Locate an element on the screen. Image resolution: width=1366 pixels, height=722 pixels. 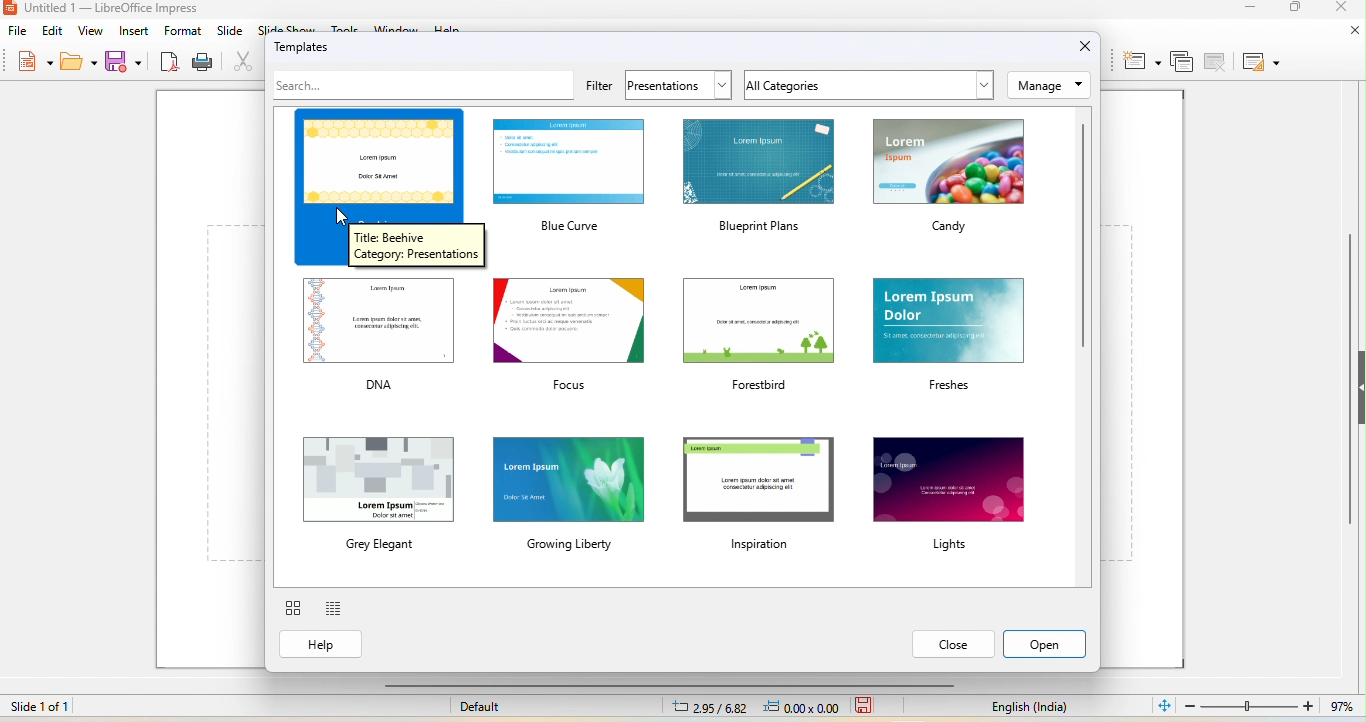
97% (zoom) is located at coordinates (1267, 707).